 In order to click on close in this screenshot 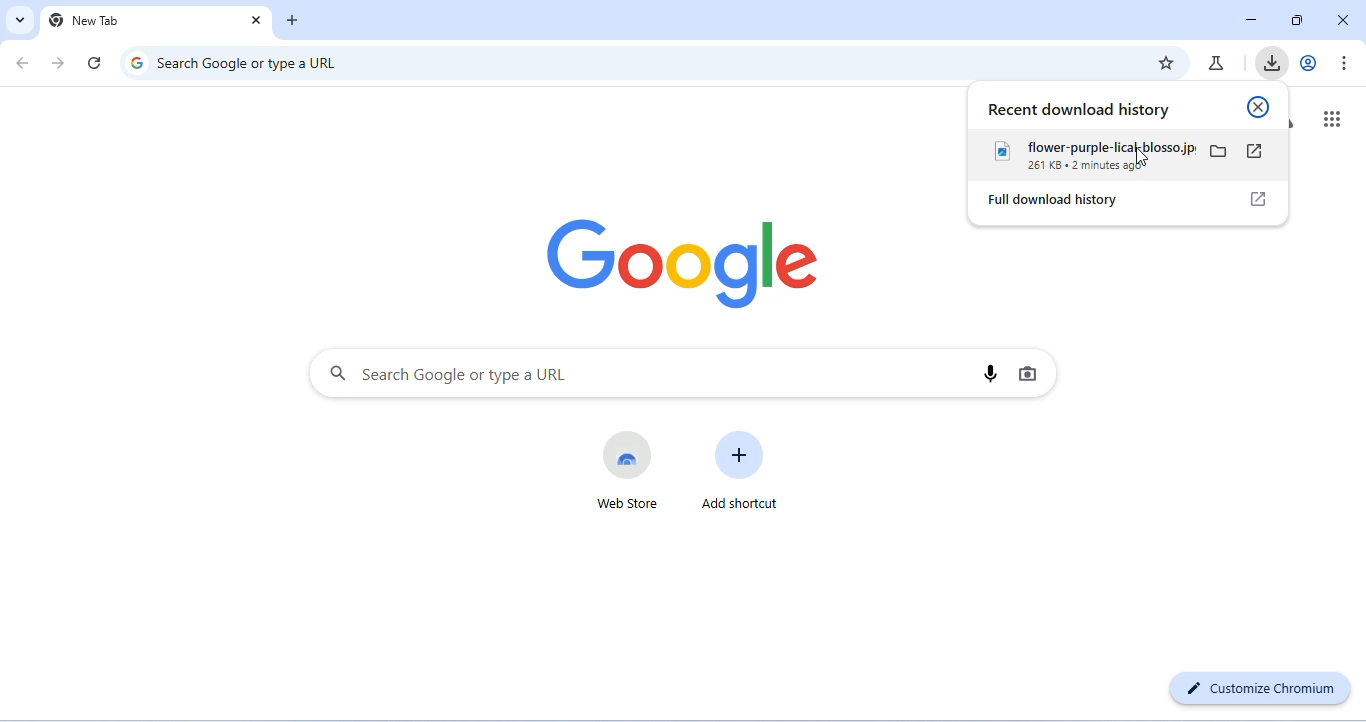, I will do `click(255, 20)`.